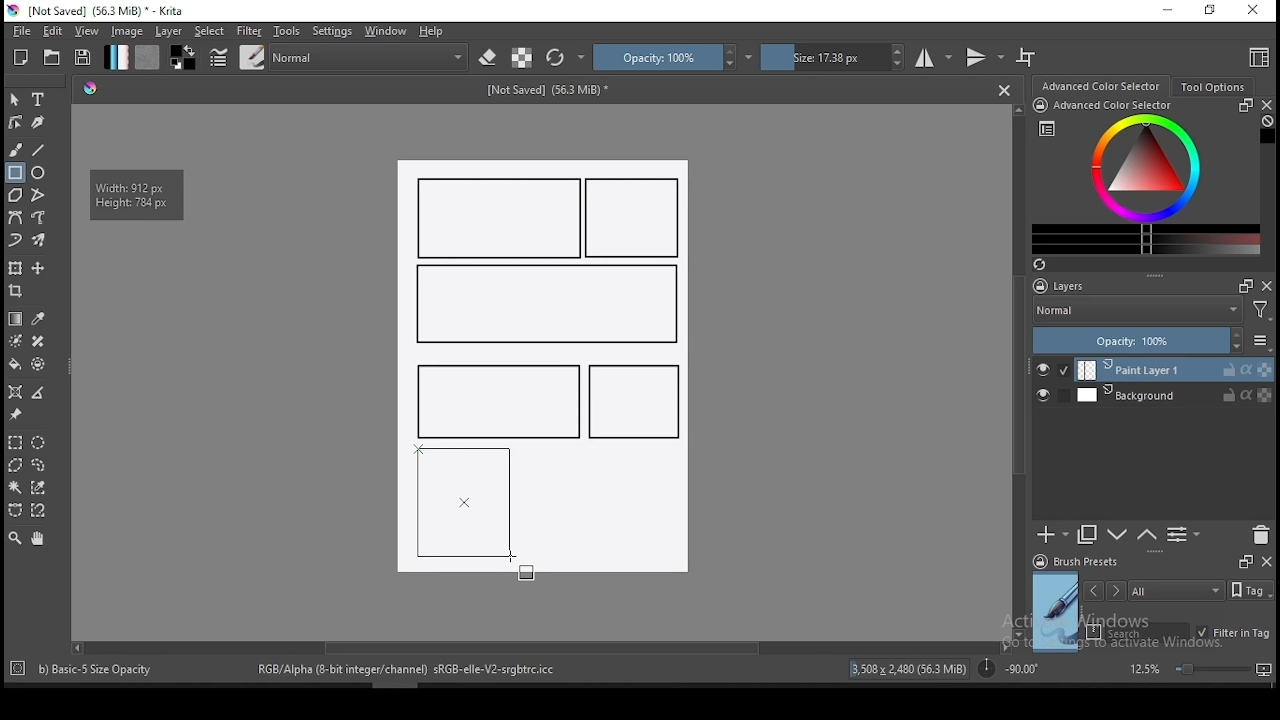  What do you see at coordinates (183, 57) in the screenshot?
I see `colors` at bounding box center [183, 57].